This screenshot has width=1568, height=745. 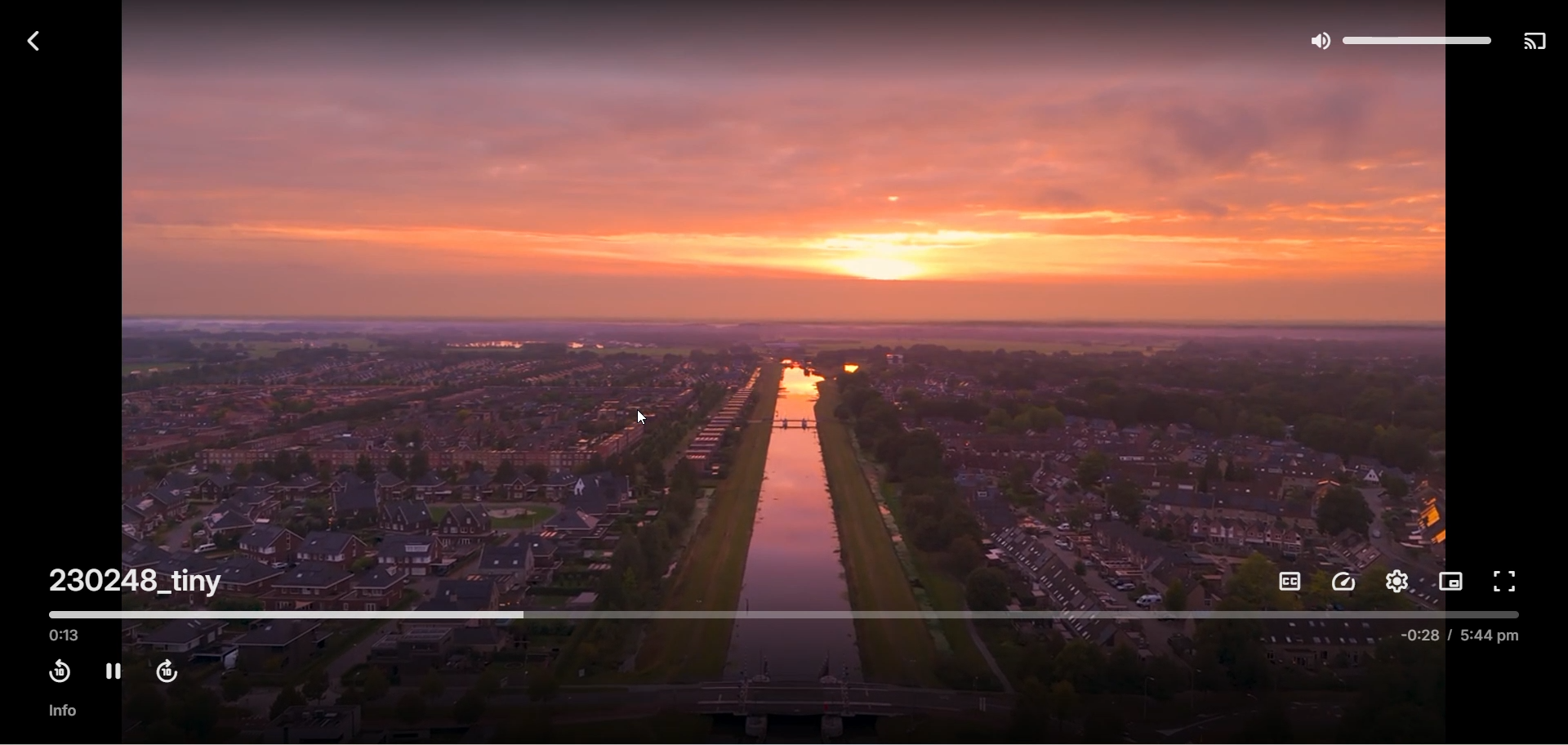 I want to click on playback speed, so click(x=1345, y=581).